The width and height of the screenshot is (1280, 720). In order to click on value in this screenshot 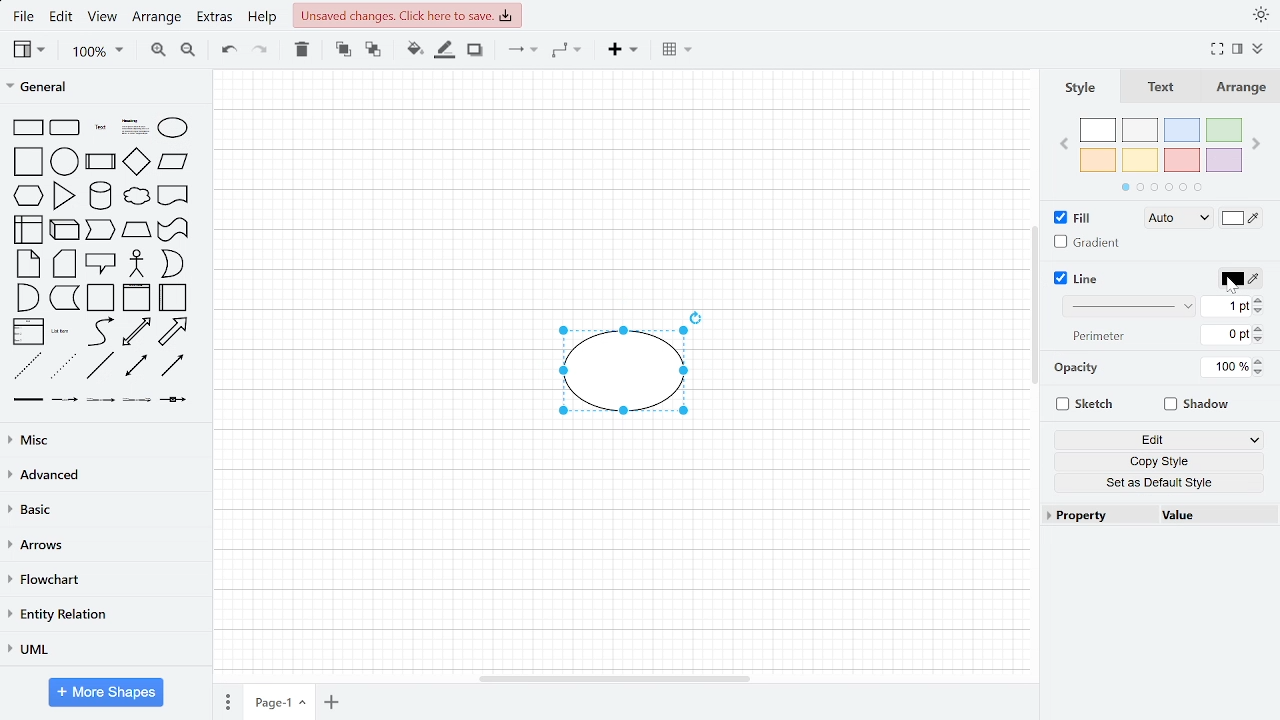, I will do `click(1216, 516)`.